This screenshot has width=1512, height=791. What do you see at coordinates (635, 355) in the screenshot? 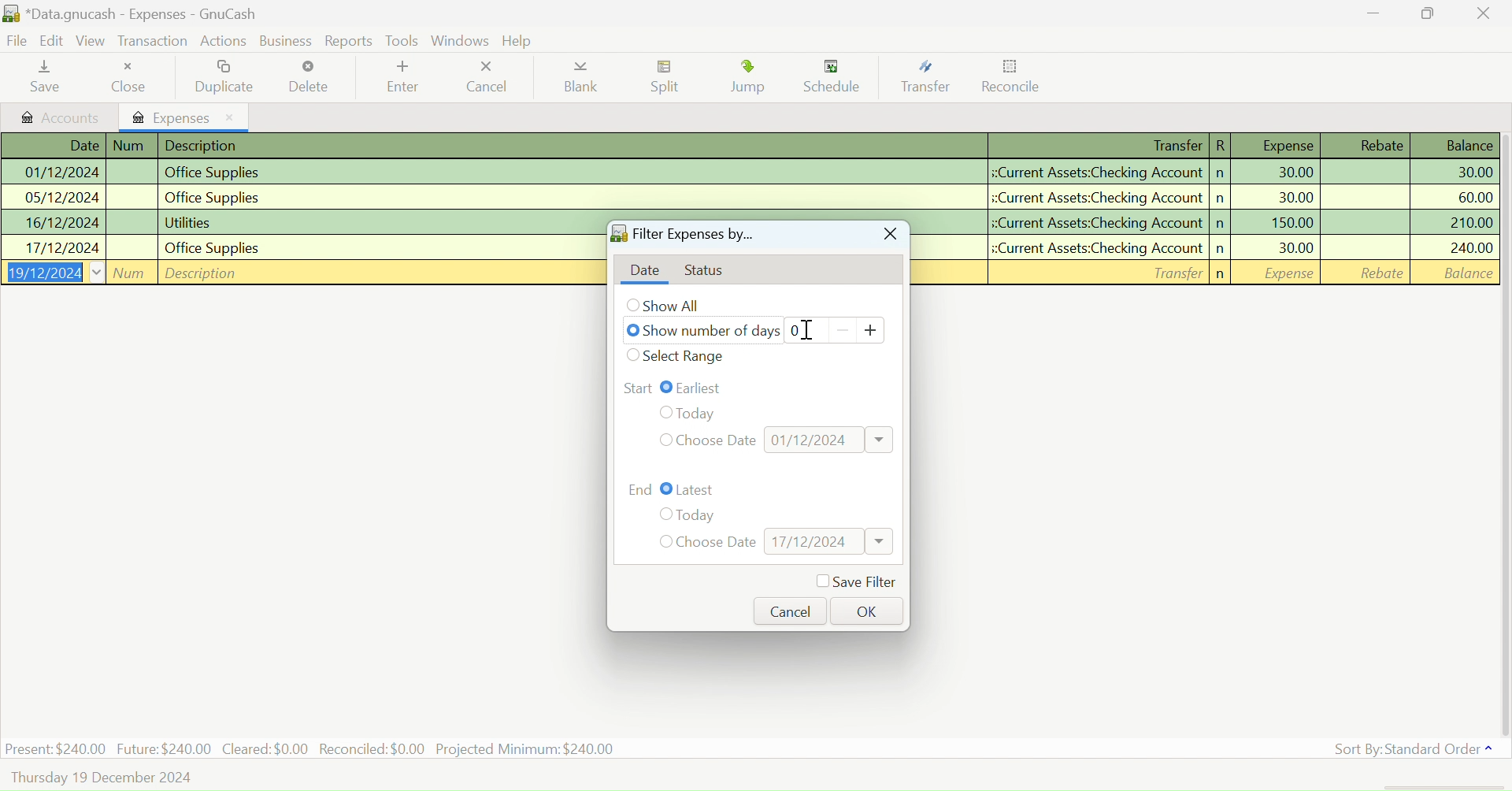
I see `Checkbox` at bounding box center [635, 355].